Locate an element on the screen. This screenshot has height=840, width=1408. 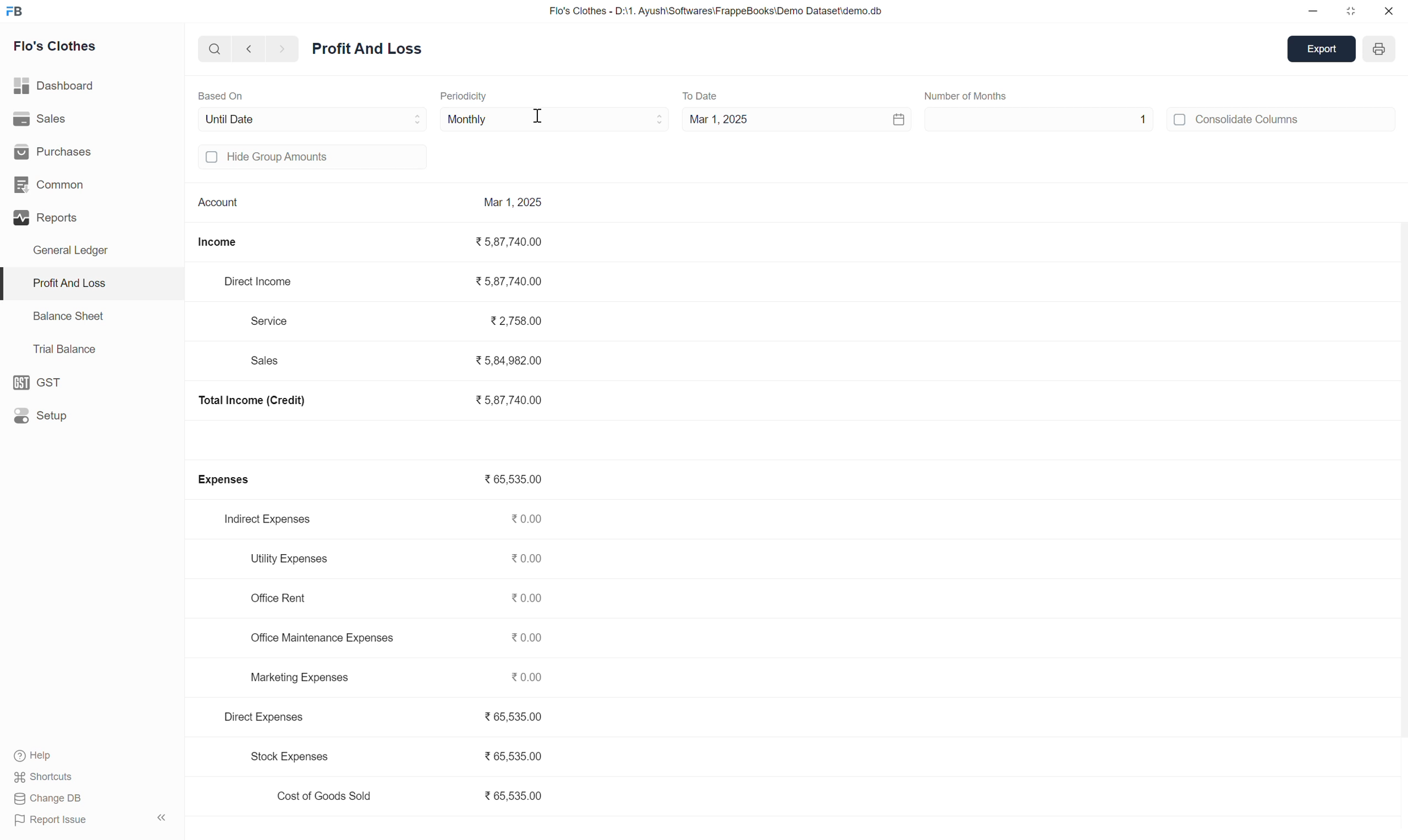
Flo's Clothes is located at coordinates (57, 49).